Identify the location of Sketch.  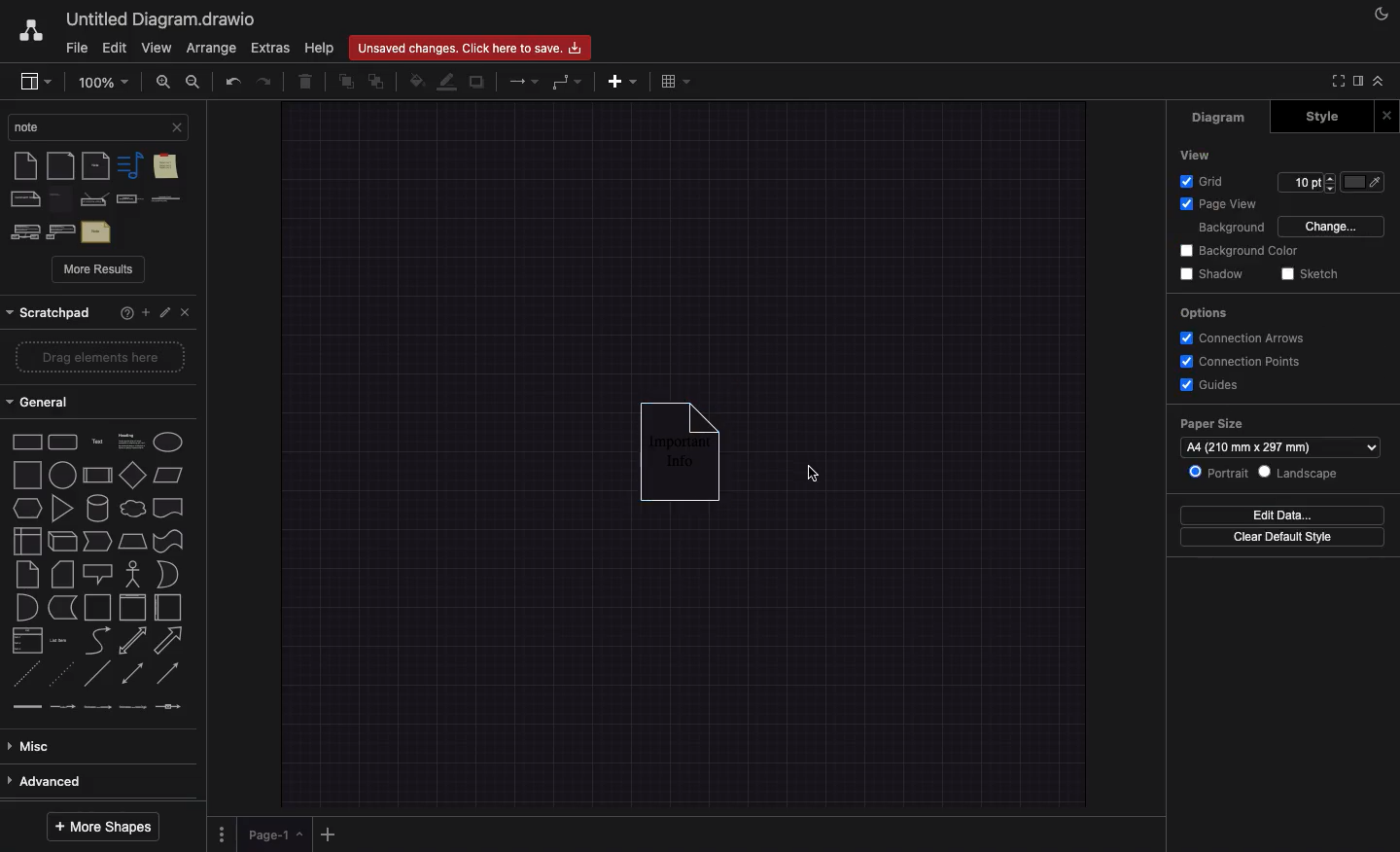
(1313, 273).